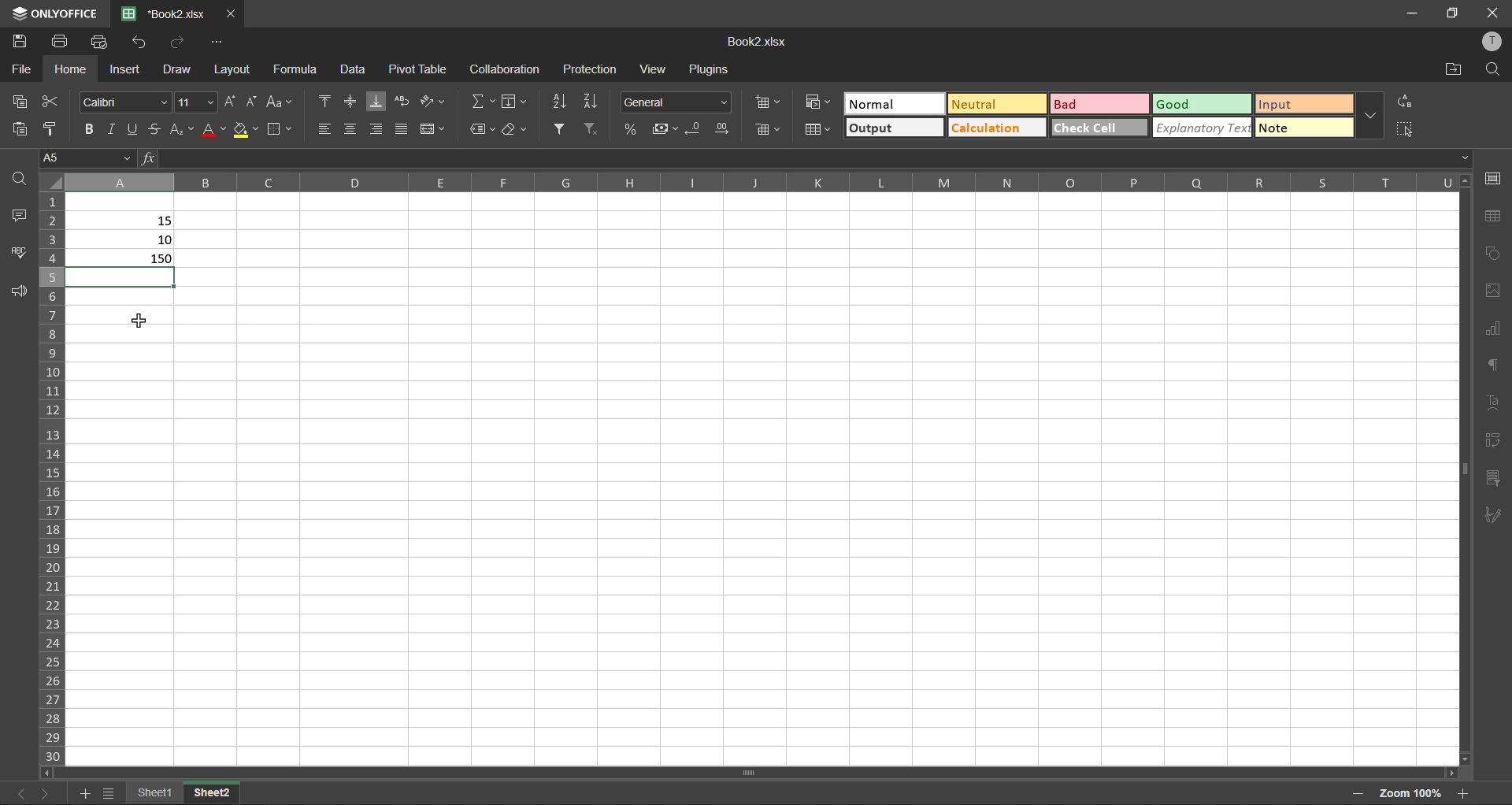 The height and width of the screenshot is (805, 1512). I want to click on charts, so click(1492, 329).